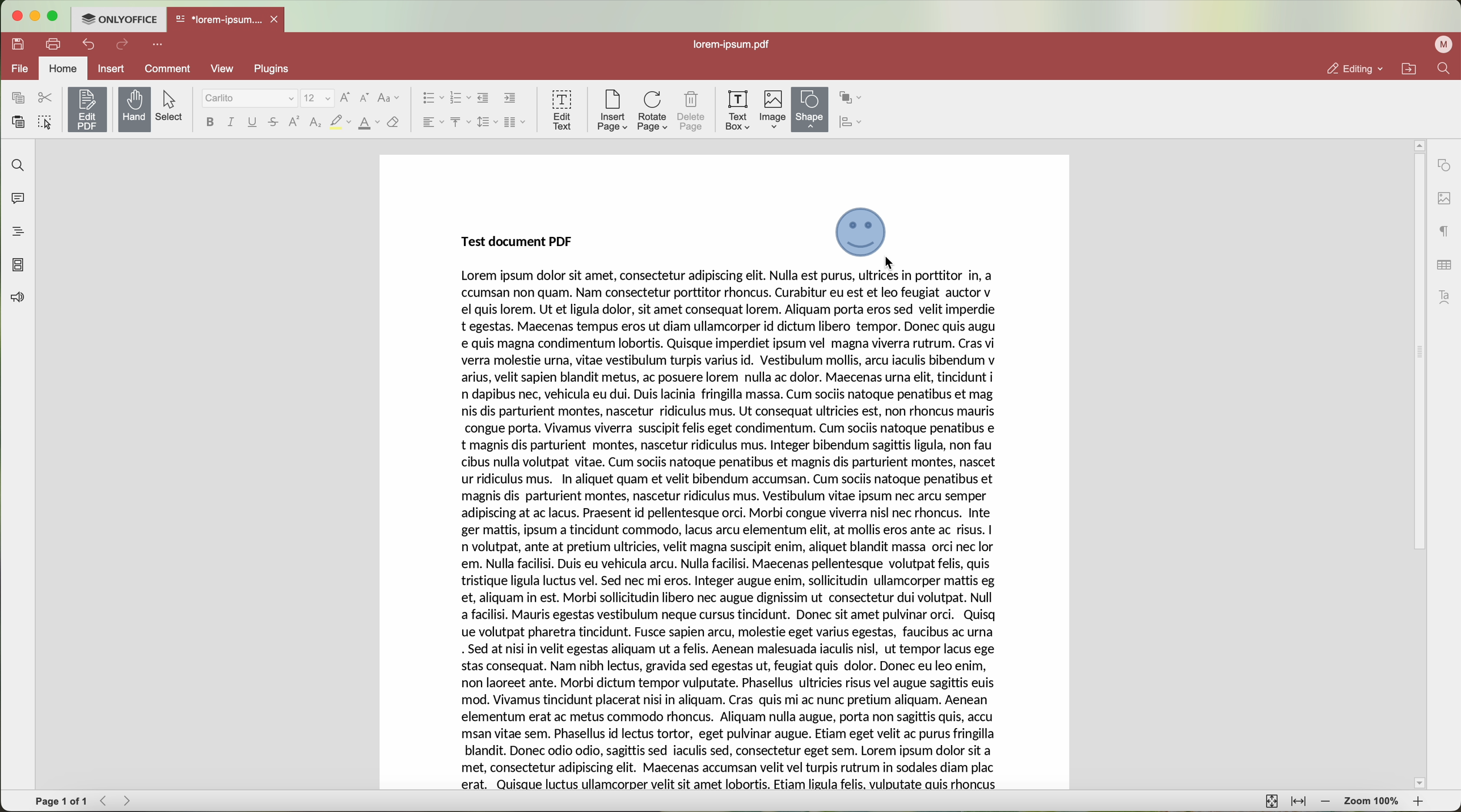 The width and height of the screenshot is (1461, 812). Describe the element at coordinates (1443, 263) in the screenshot. I see `table settings` at that location.